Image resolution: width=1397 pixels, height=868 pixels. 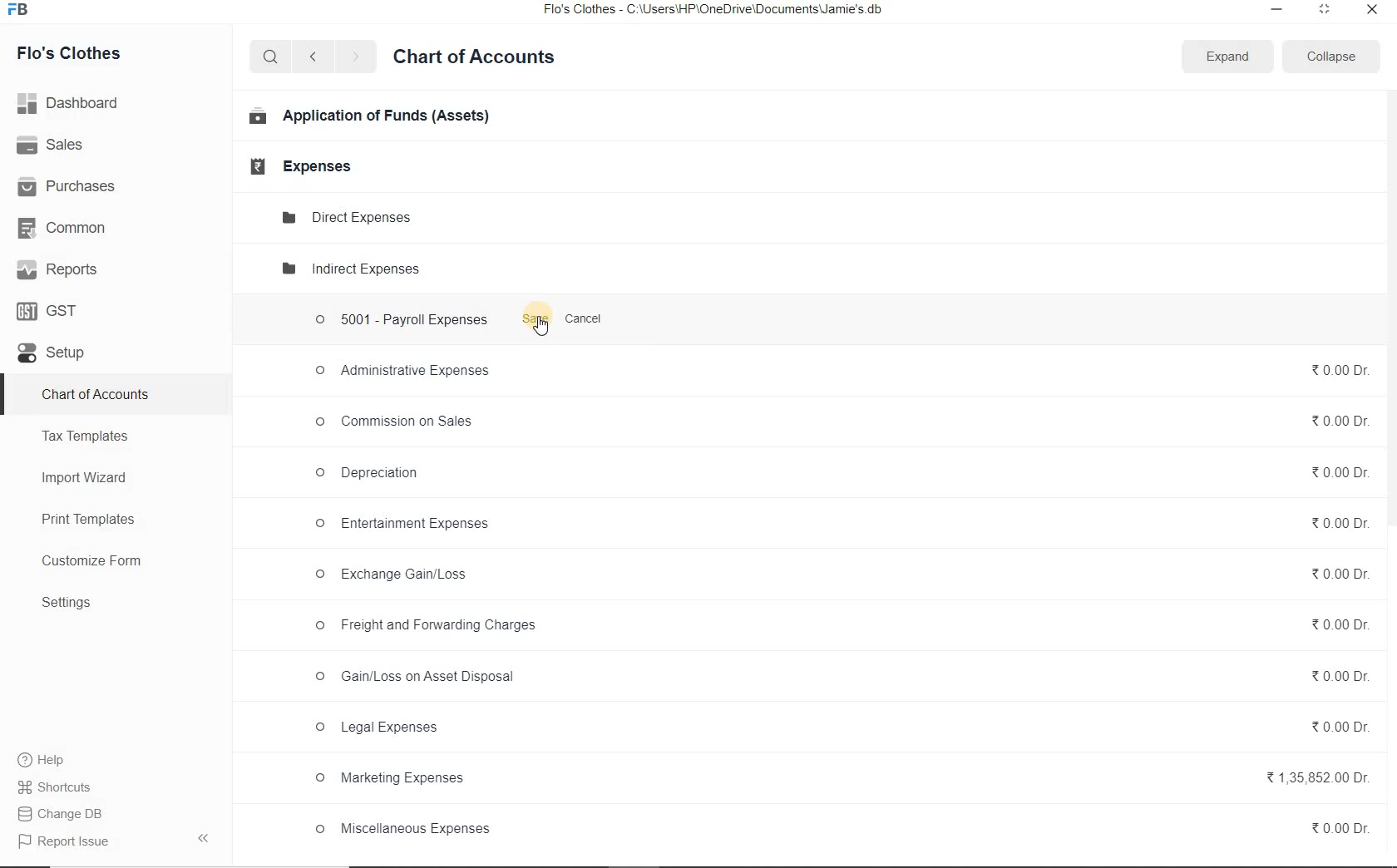 I want to click on previous, so click(x=312, y=57).